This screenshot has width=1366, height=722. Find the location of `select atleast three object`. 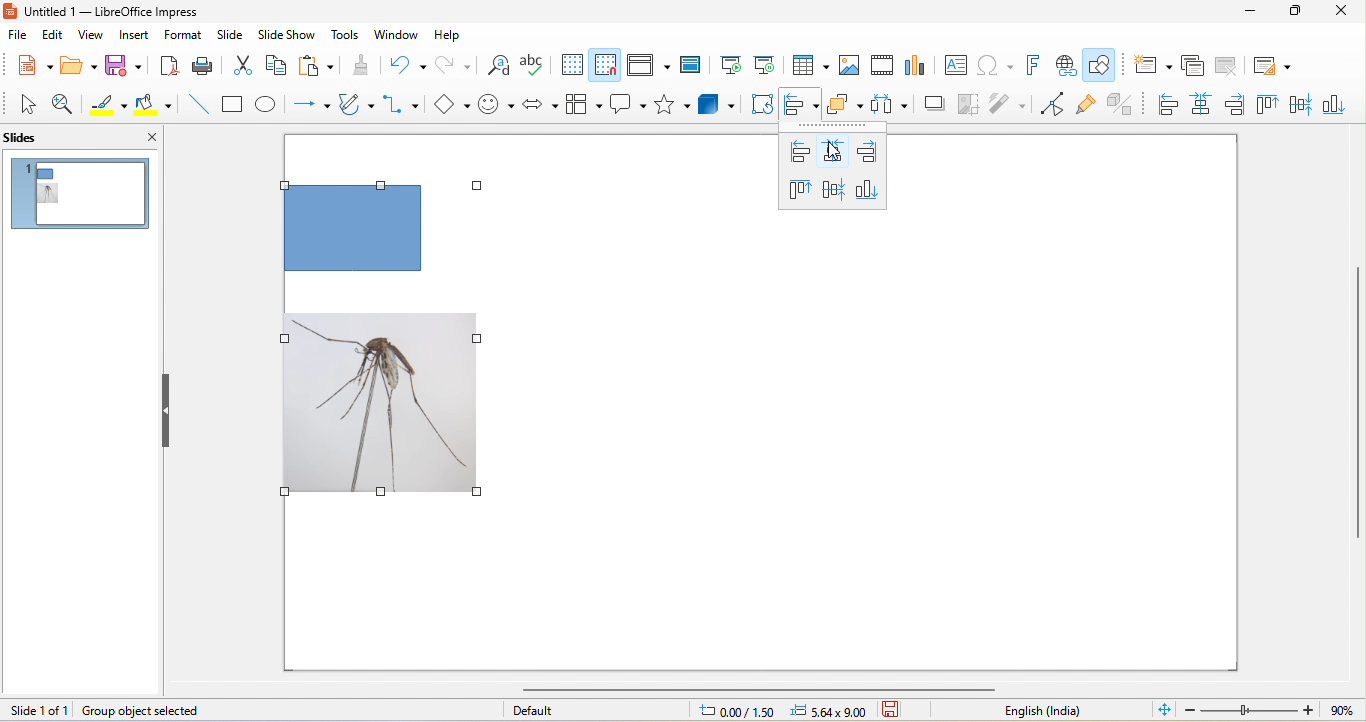

select atleast three object is located at coordinates (890, 105).